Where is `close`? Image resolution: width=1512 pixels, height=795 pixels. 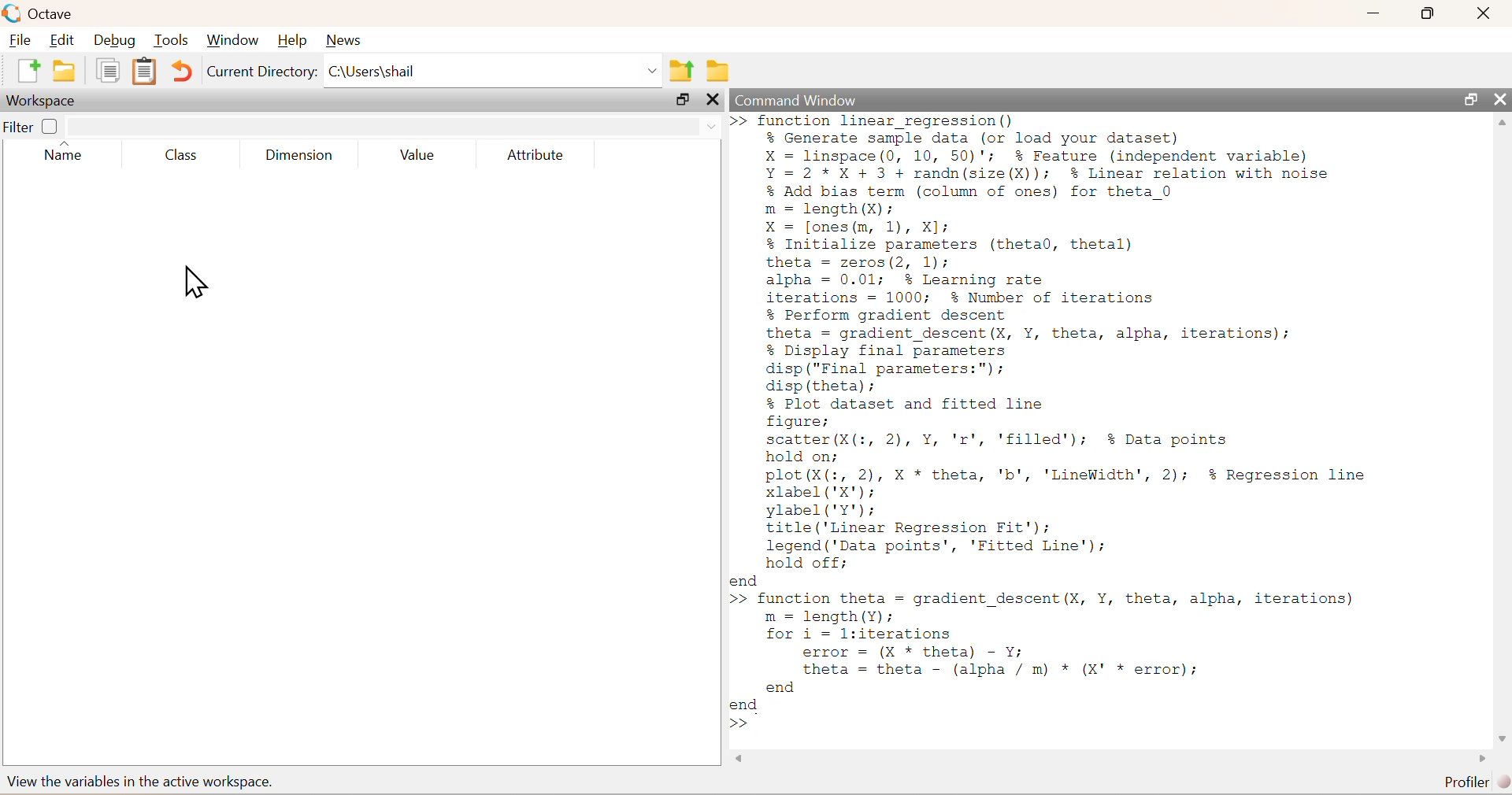 close is located at coordinates (1502, 99).